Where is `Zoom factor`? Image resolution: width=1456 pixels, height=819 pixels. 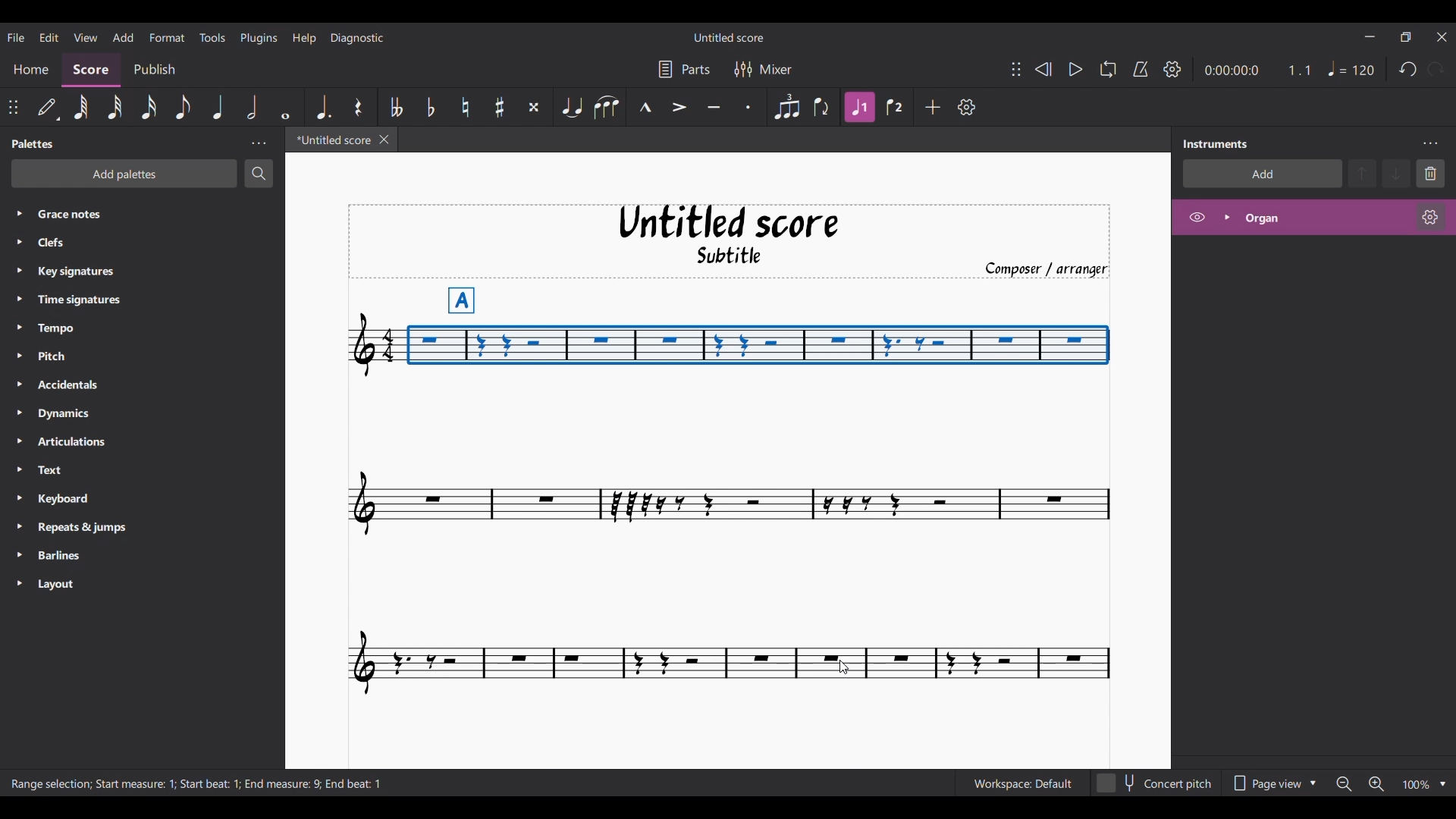
Zoom factor is located at coordinates (1417, 785).